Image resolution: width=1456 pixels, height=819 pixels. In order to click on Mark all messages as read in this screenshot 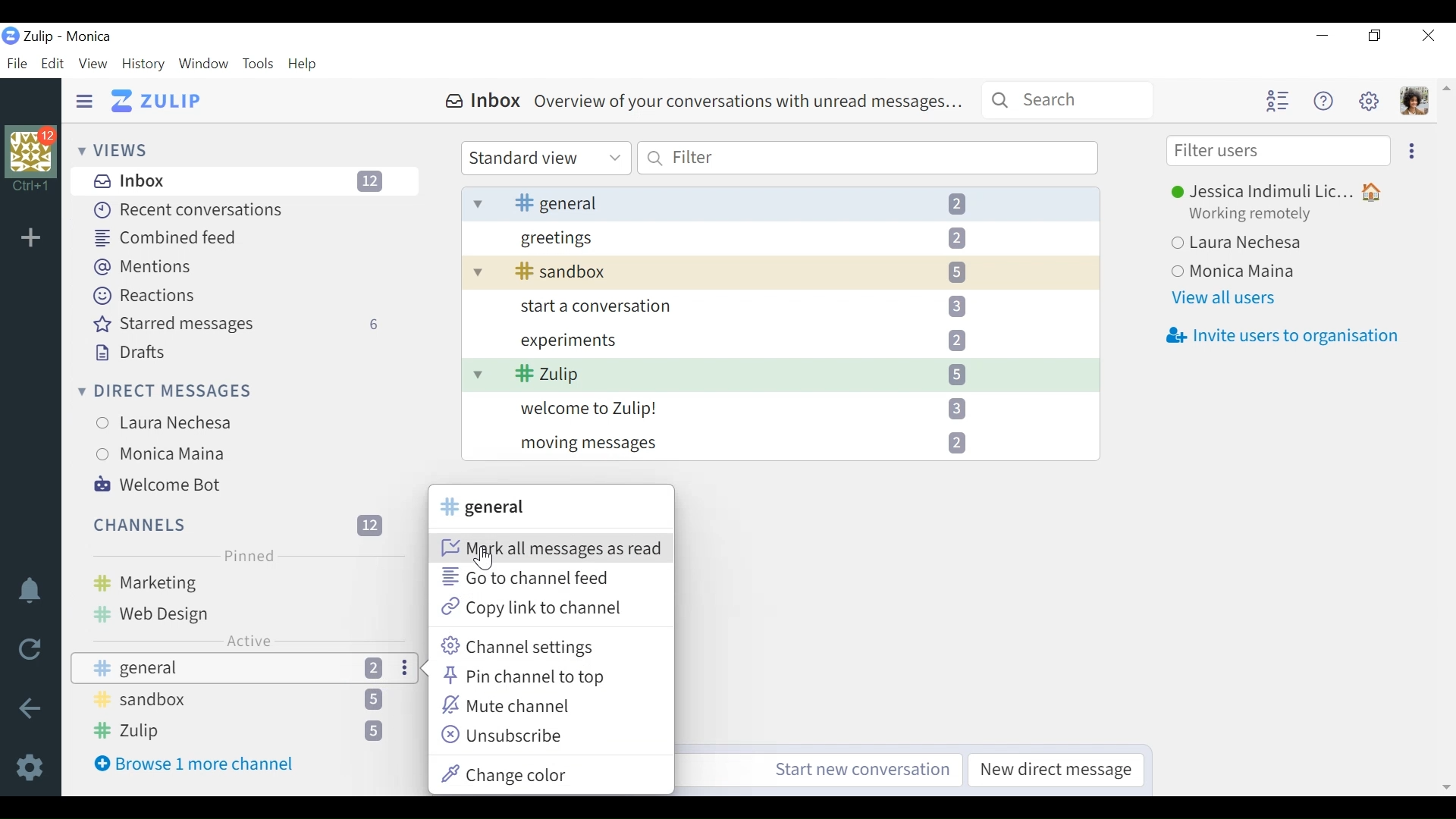, I will do `click(550, 548)`.